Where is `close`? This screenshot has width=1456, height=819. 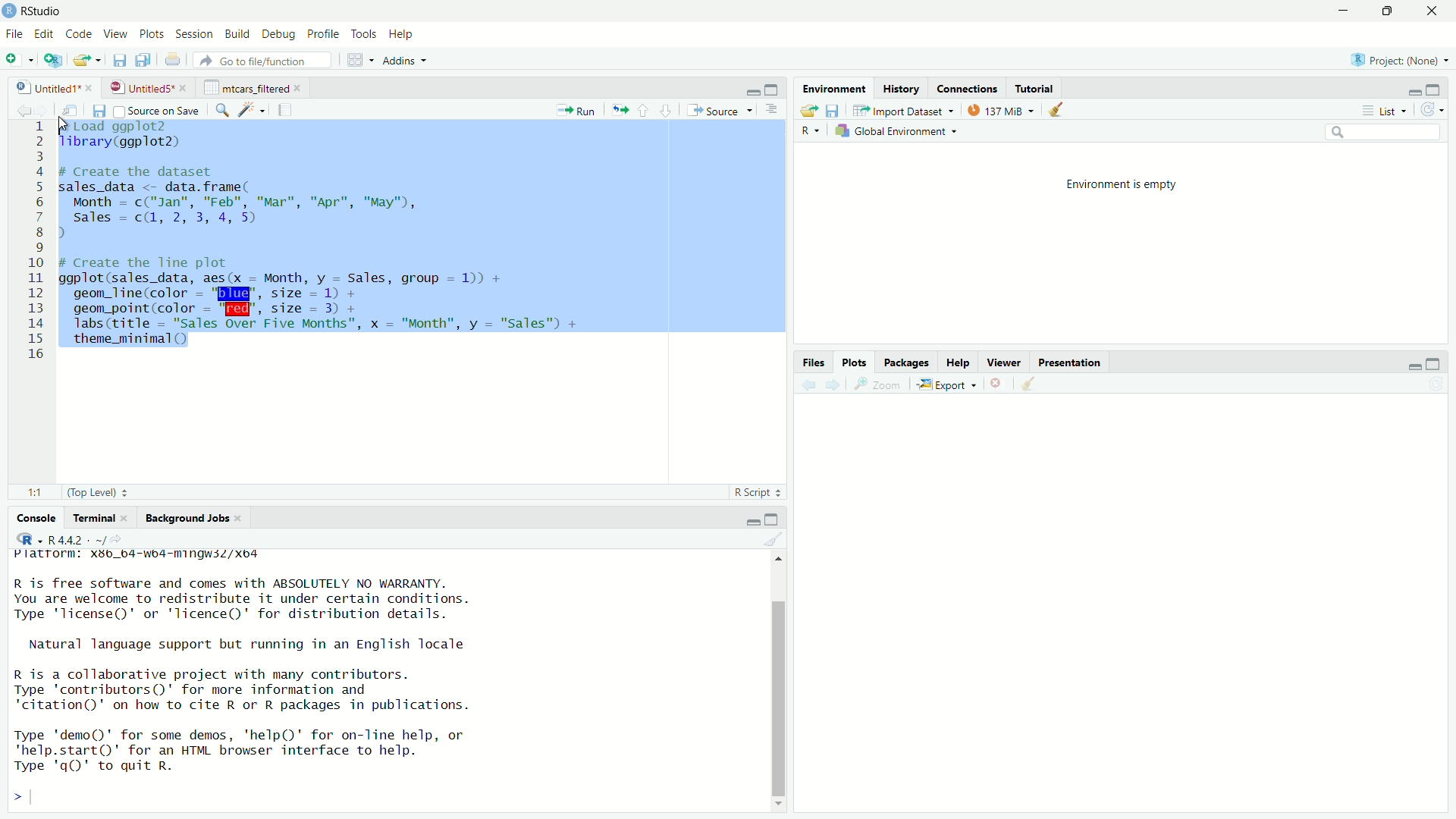 close is located at coordinates (240, 518).